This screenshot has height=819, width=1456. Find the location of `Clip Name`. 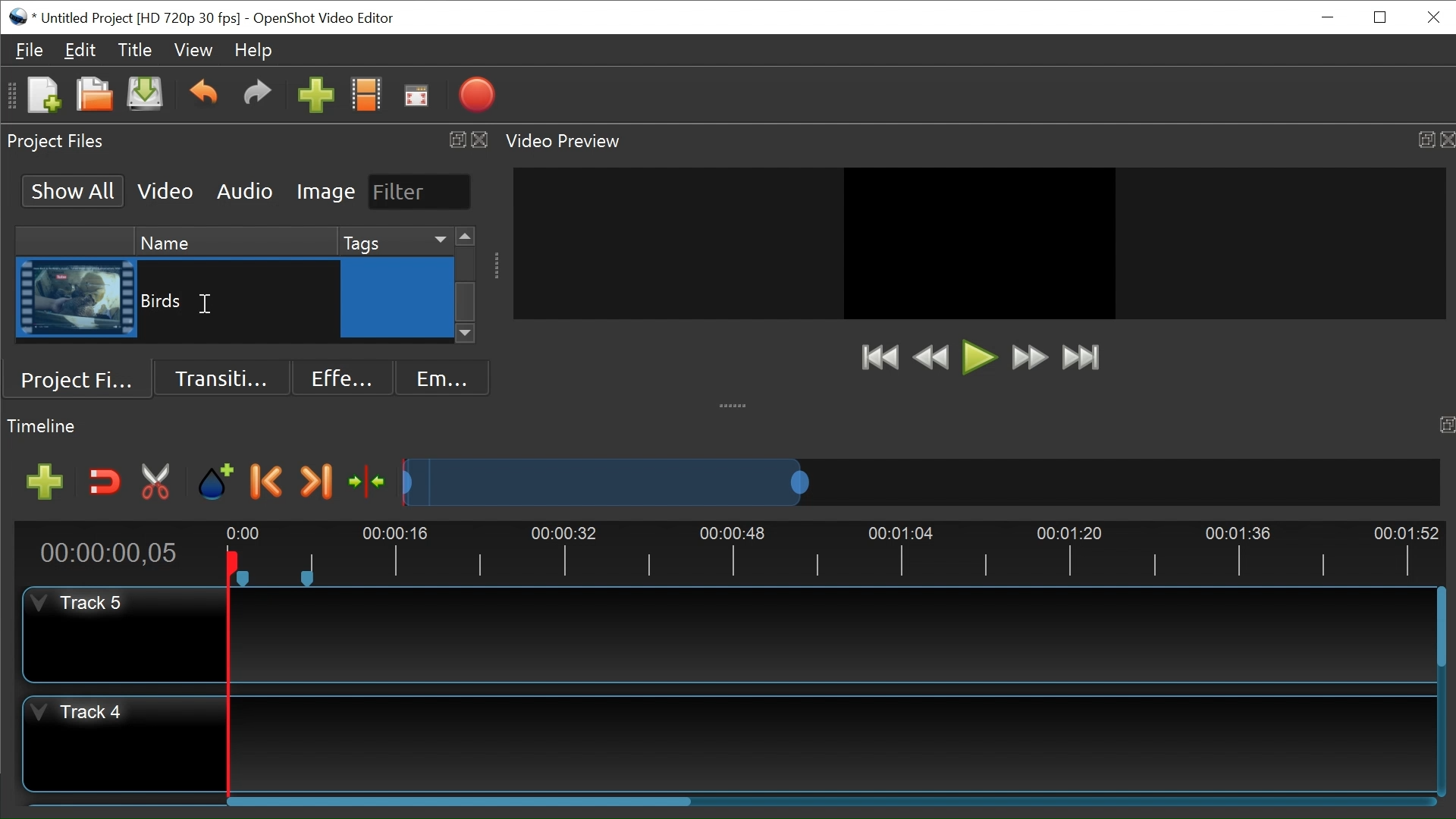

Clip Name is located at coordinates (239, 302).